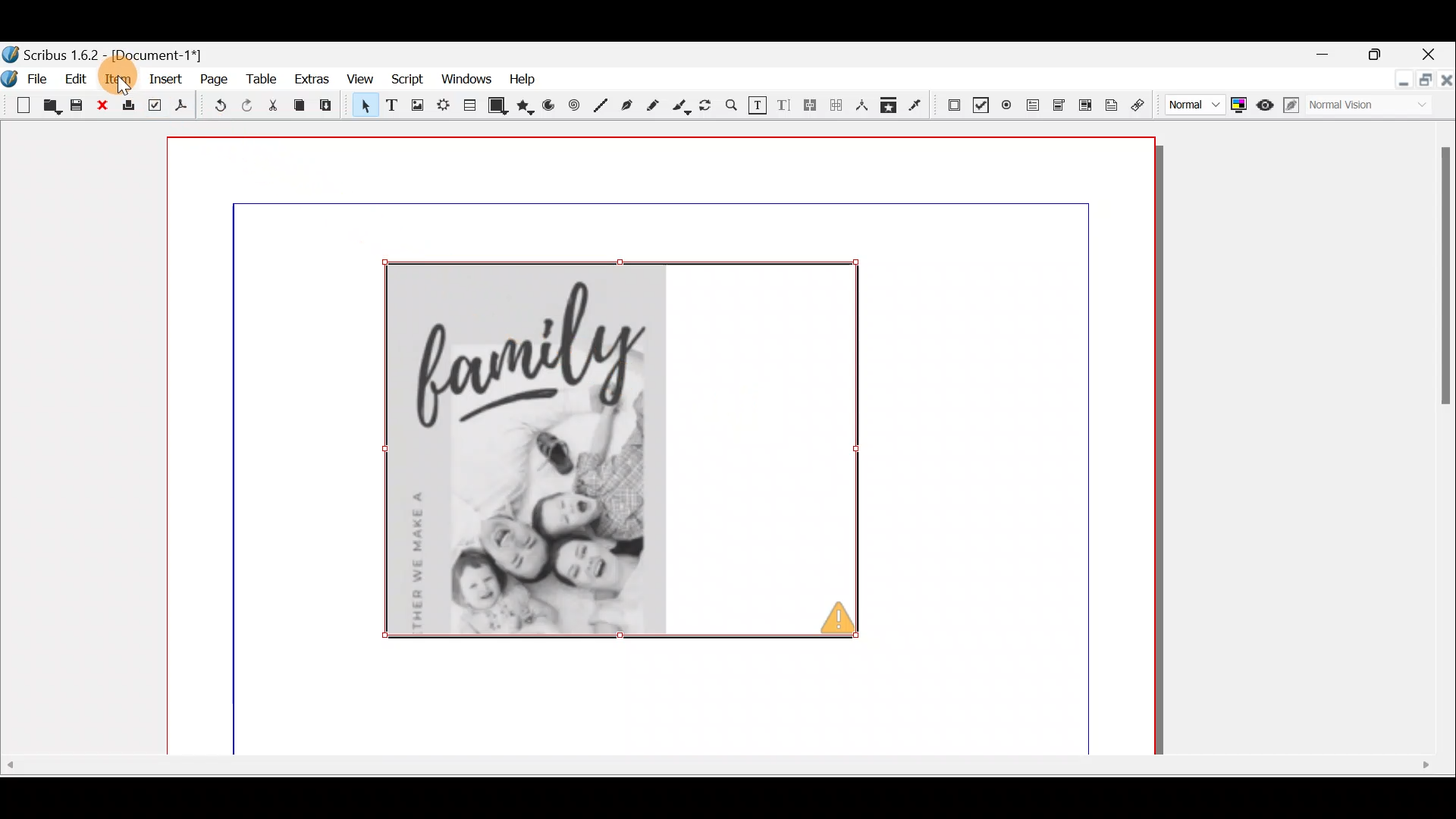 This screenshot has width=1456, height=819. Describe the element at coordinates (417, 106) in the screenshot. I see `Image frame` at that location.